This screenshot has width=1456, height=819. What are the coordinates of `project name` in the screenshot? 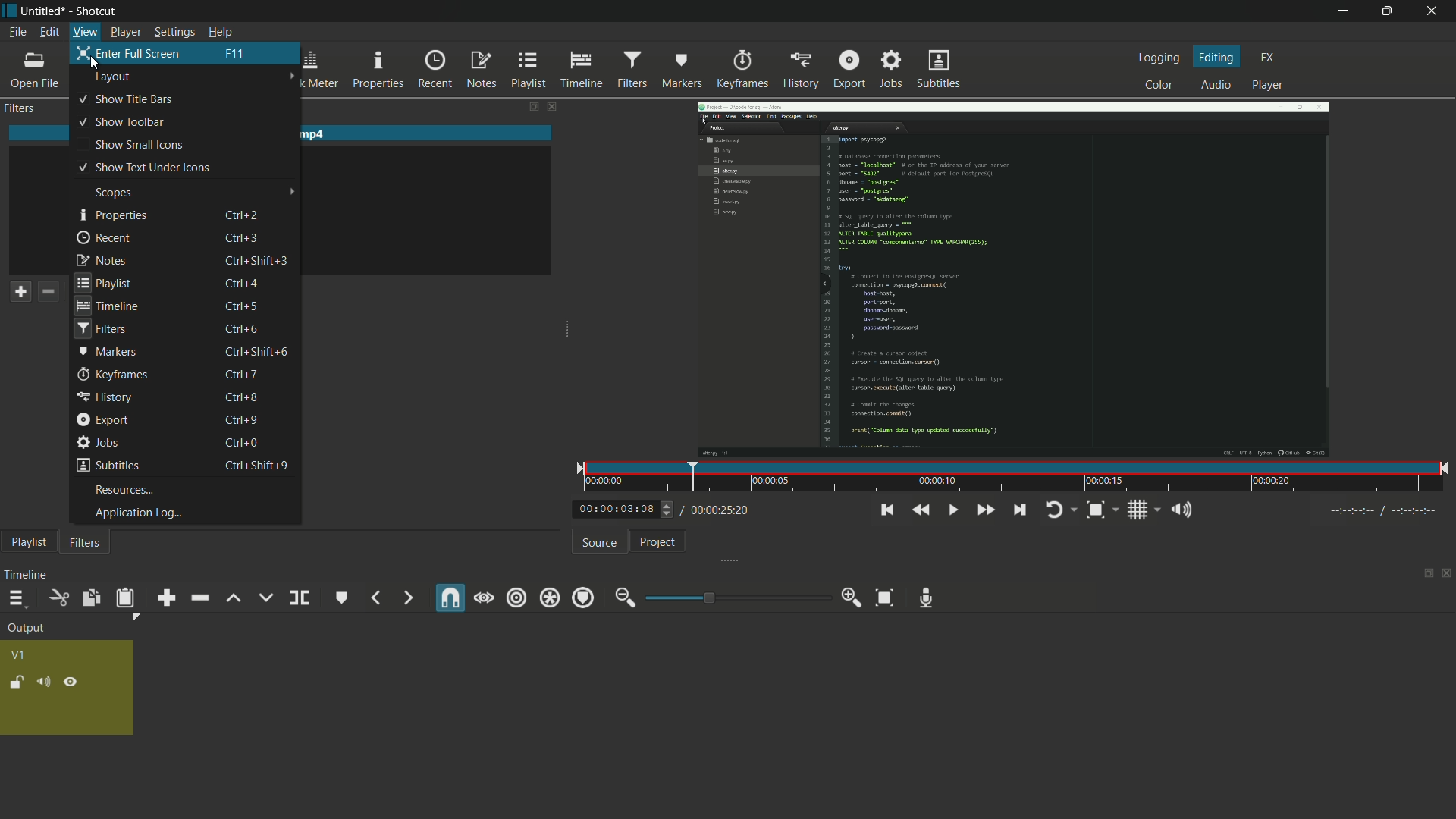 It's located at (44, 11).